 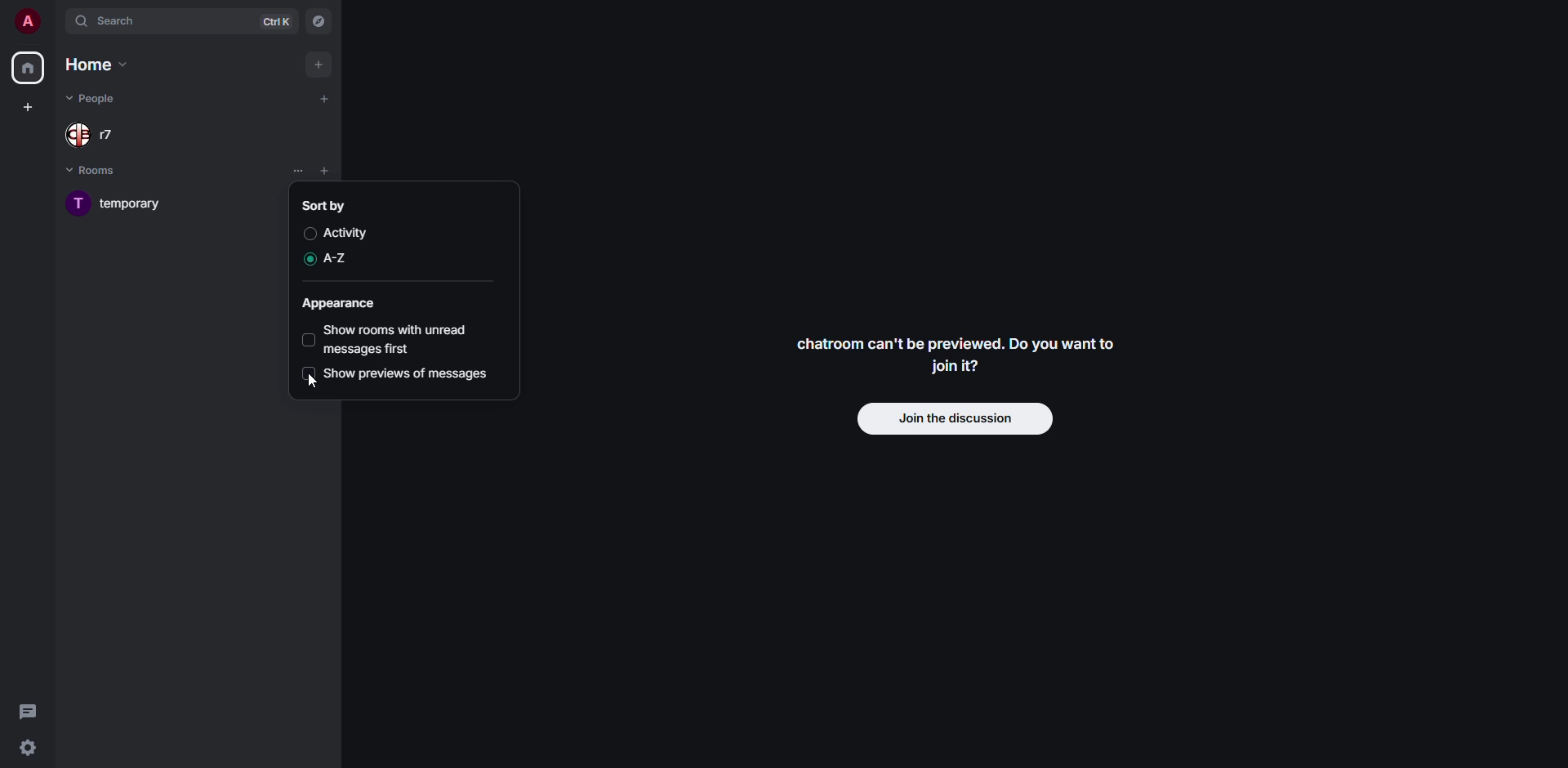 I want to click on cursor, so click(x=307, y=383).